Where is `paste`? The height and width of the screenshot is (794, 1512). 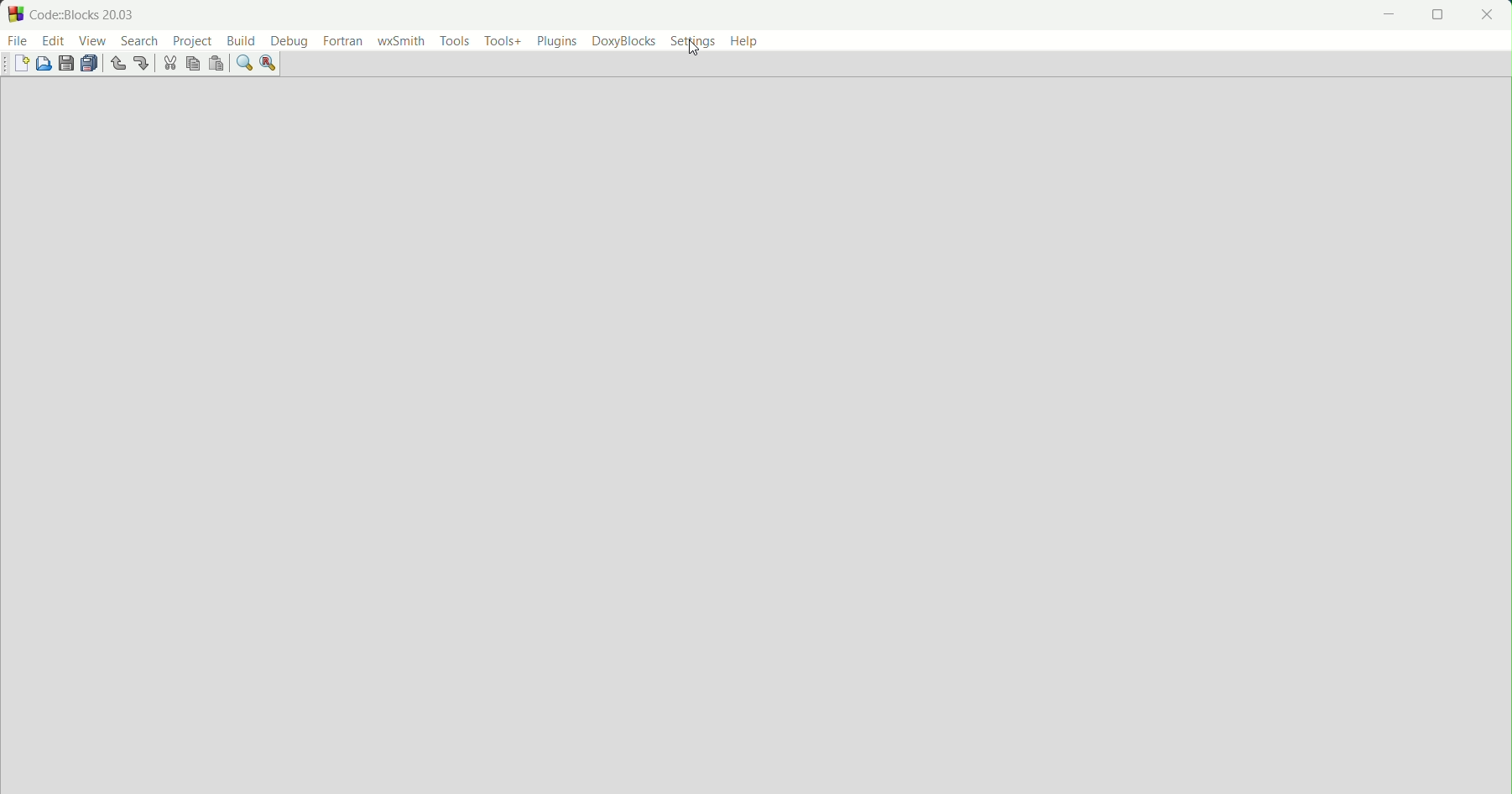
paste is located at coordinates (215, 64).